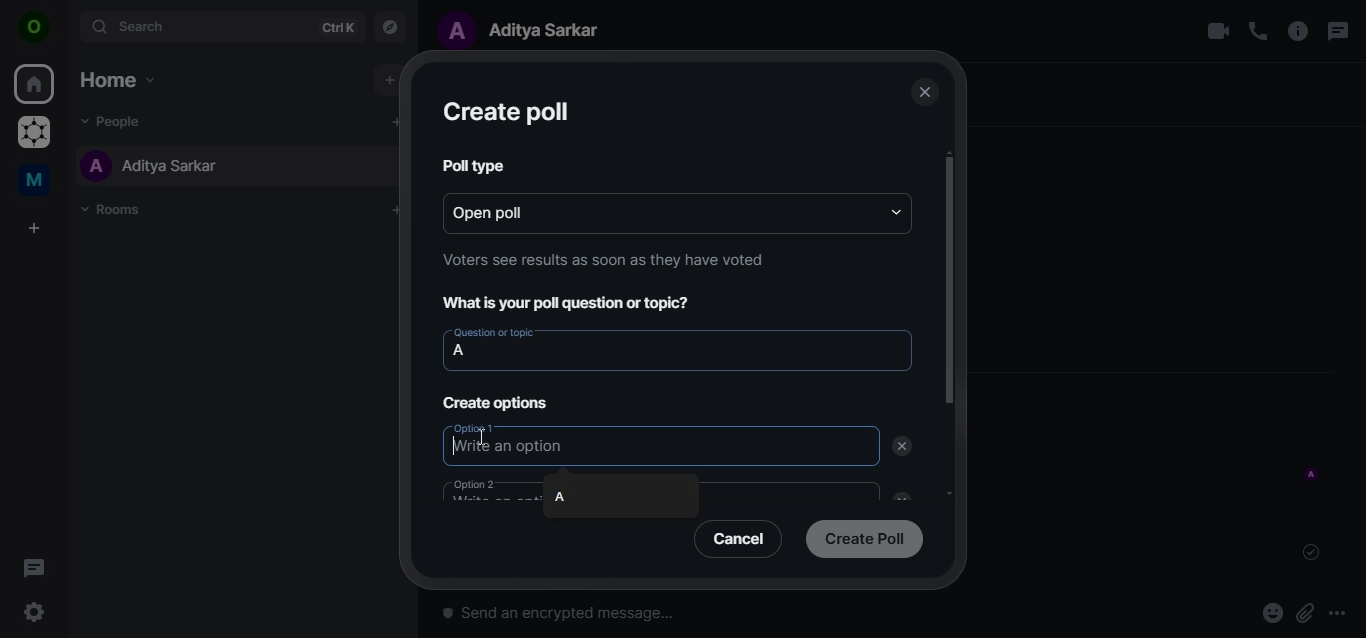 This screenshot has height=638, width=1366. What do you see at coordinates (669, 619) in the screenshot?
I see `send an encrypted message` at bounding box center [669, 619].